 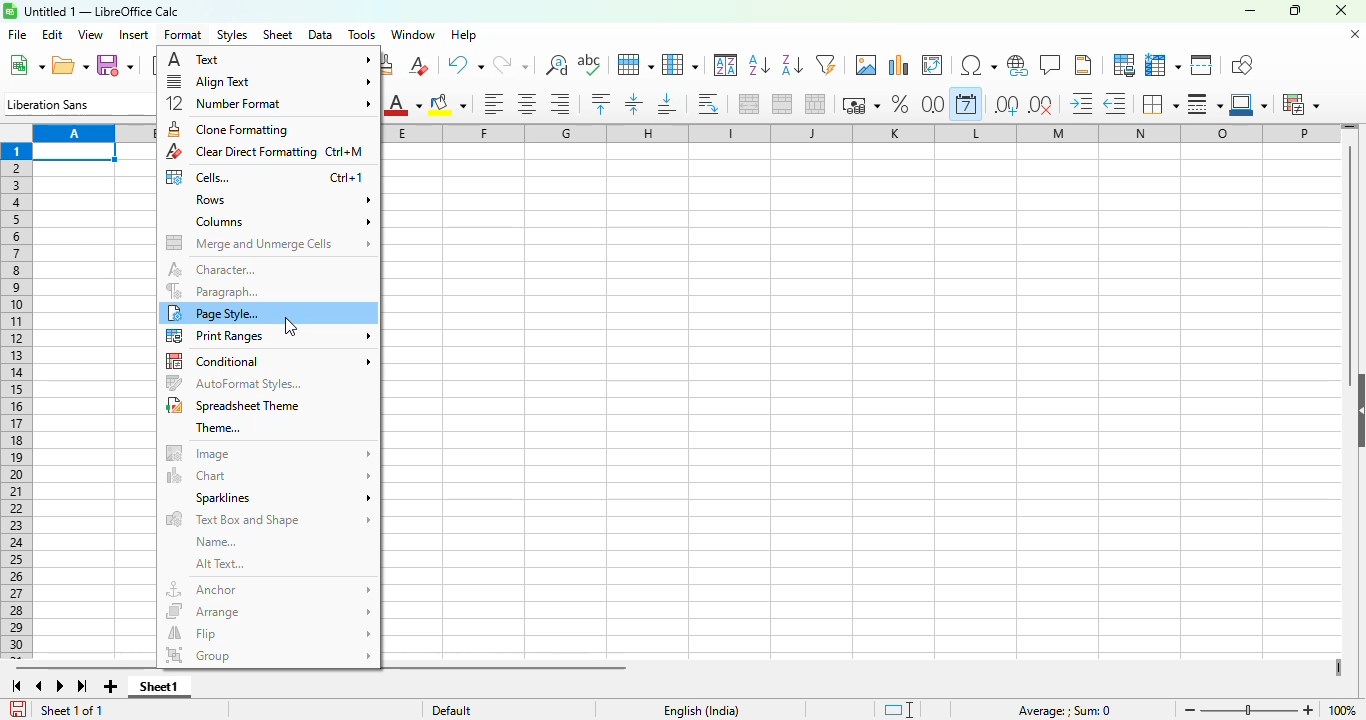 What do you see at coordinates (511, 64) in the screenshot?
I see `redo` at bounding box center [511, 64].